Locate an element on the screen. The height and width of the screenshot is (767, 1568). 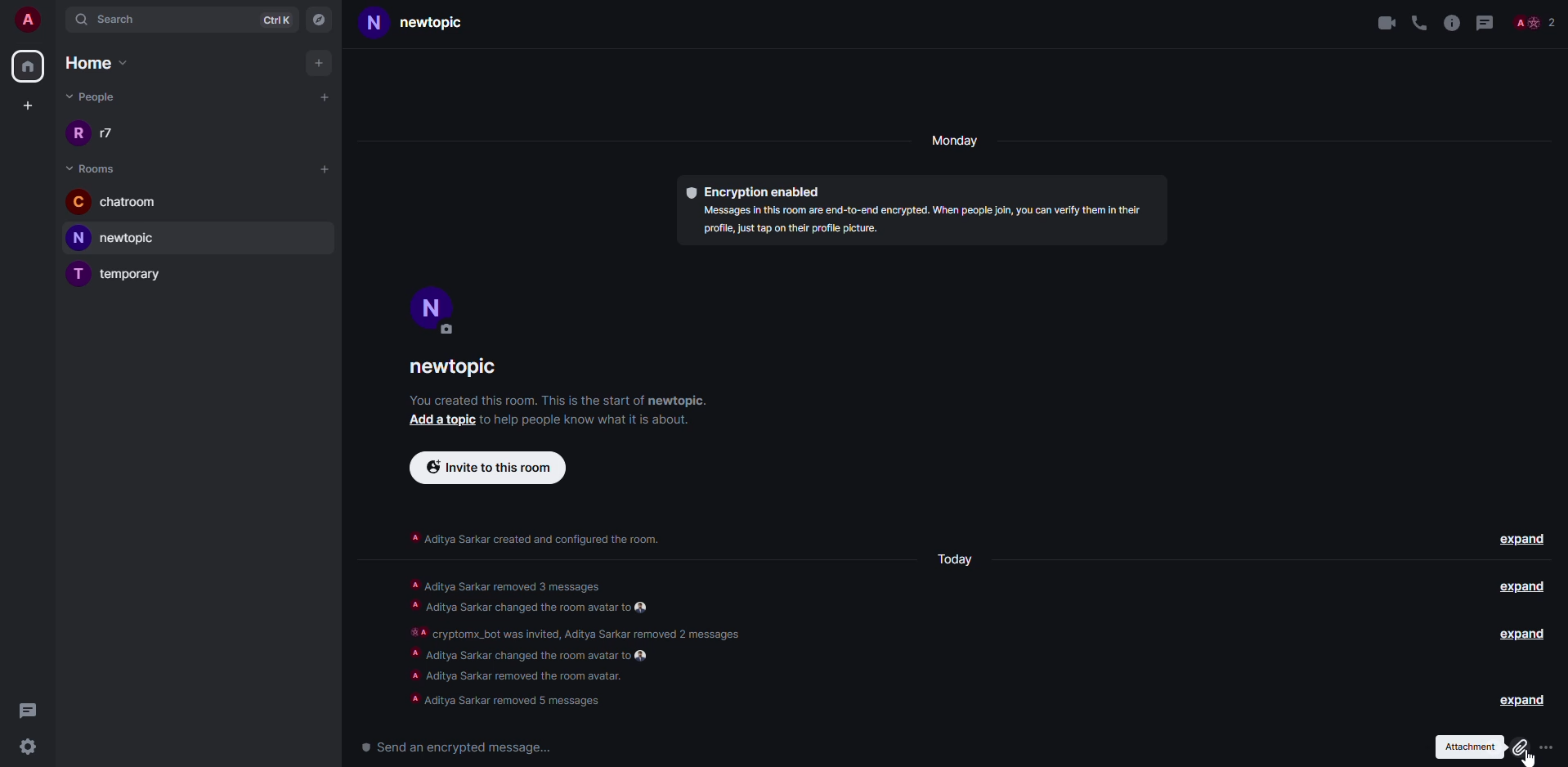
voice call is located at coordinates (1419, 22).